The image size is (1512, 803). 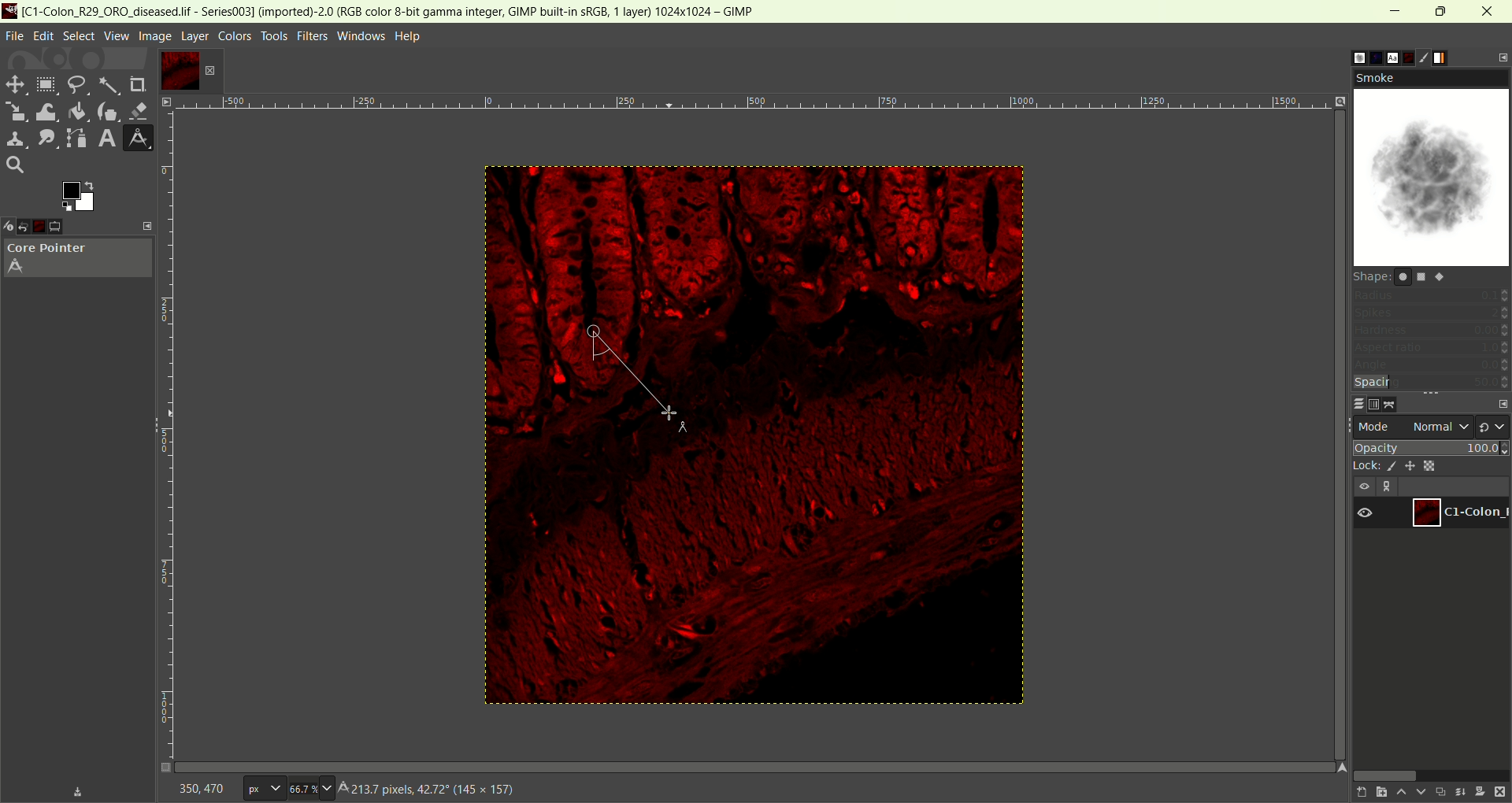 I want to click on smudge tool, so click(x=43, y=138).